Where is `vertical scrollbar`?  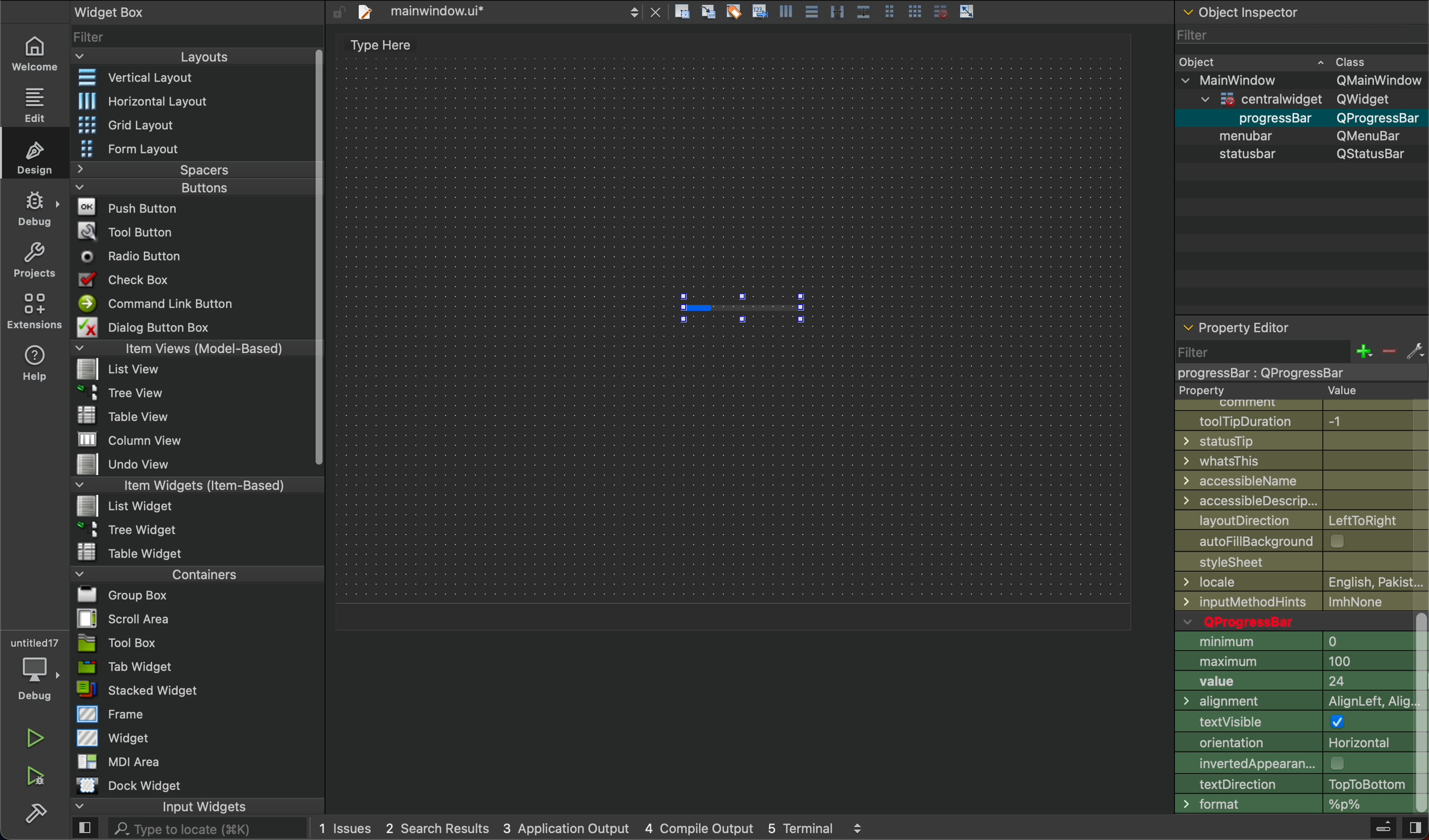 vertical scrollbar is located at coordinates (1420, 714).